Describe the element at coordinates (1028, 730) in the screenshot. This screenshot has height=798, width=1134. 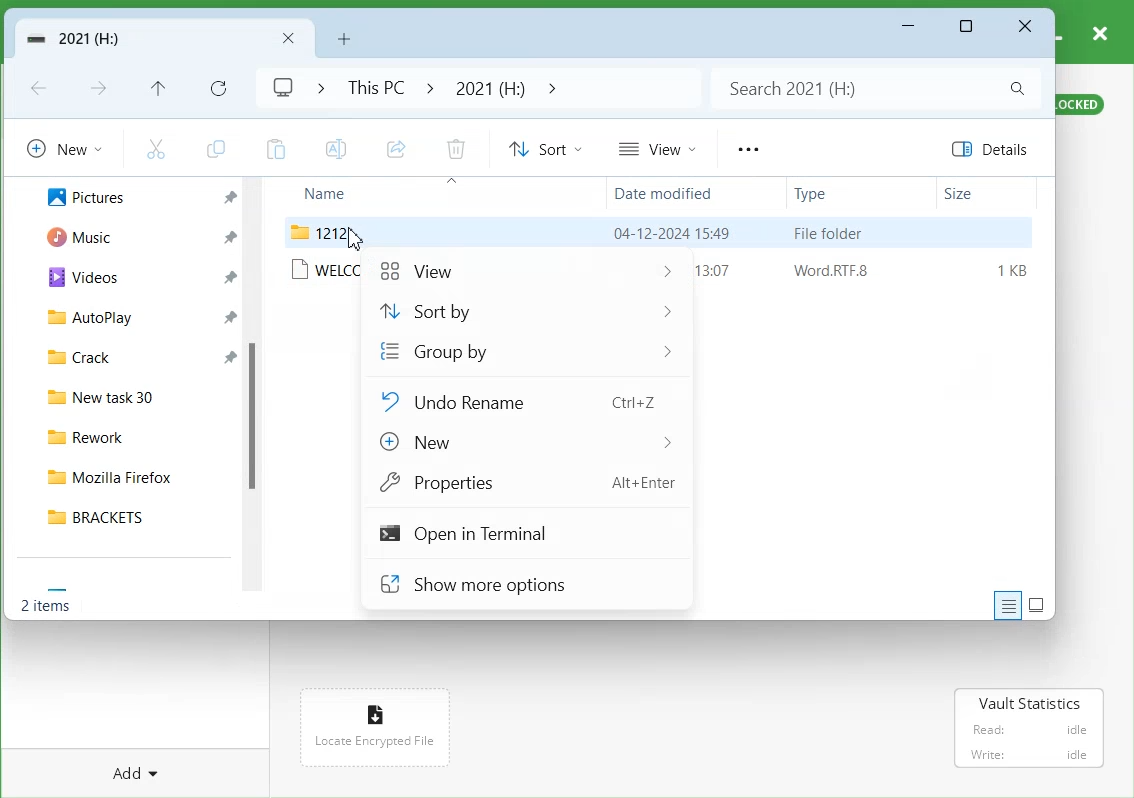
I see `Read: idle` at that location.